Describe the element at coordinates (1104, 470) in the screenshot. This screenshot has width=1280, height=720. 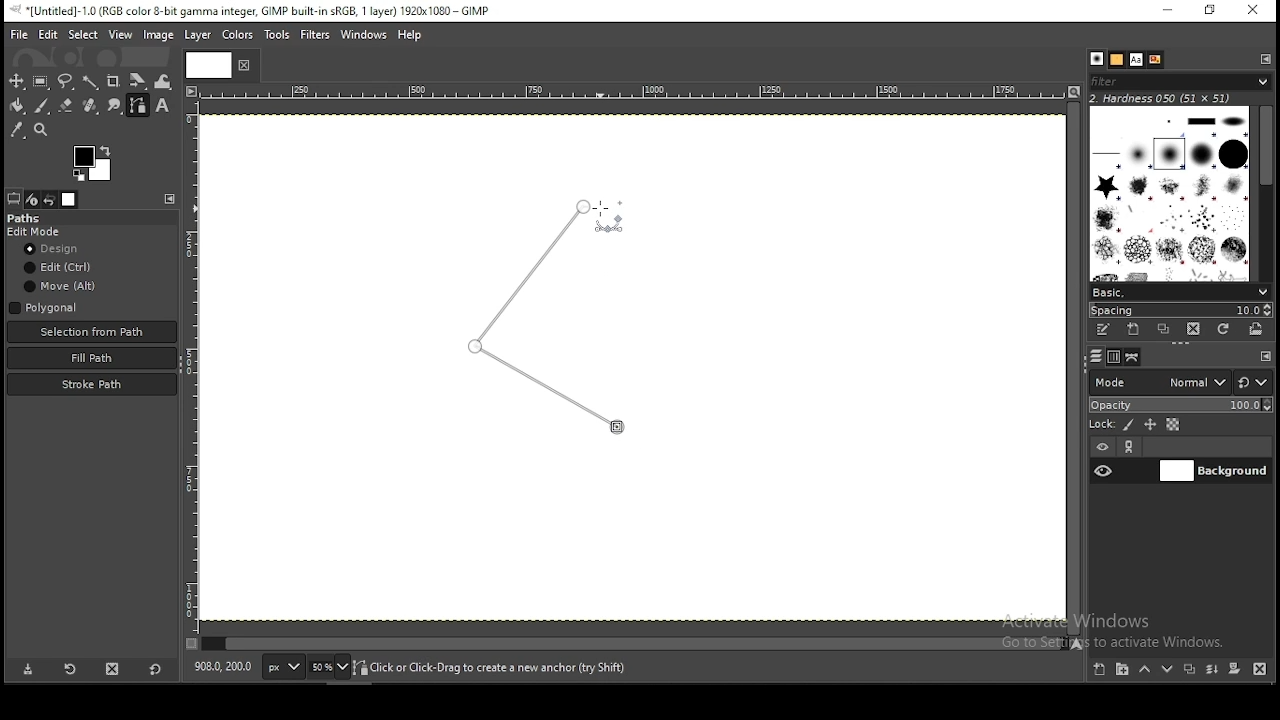
I see `layer visibility on/off` at that location.